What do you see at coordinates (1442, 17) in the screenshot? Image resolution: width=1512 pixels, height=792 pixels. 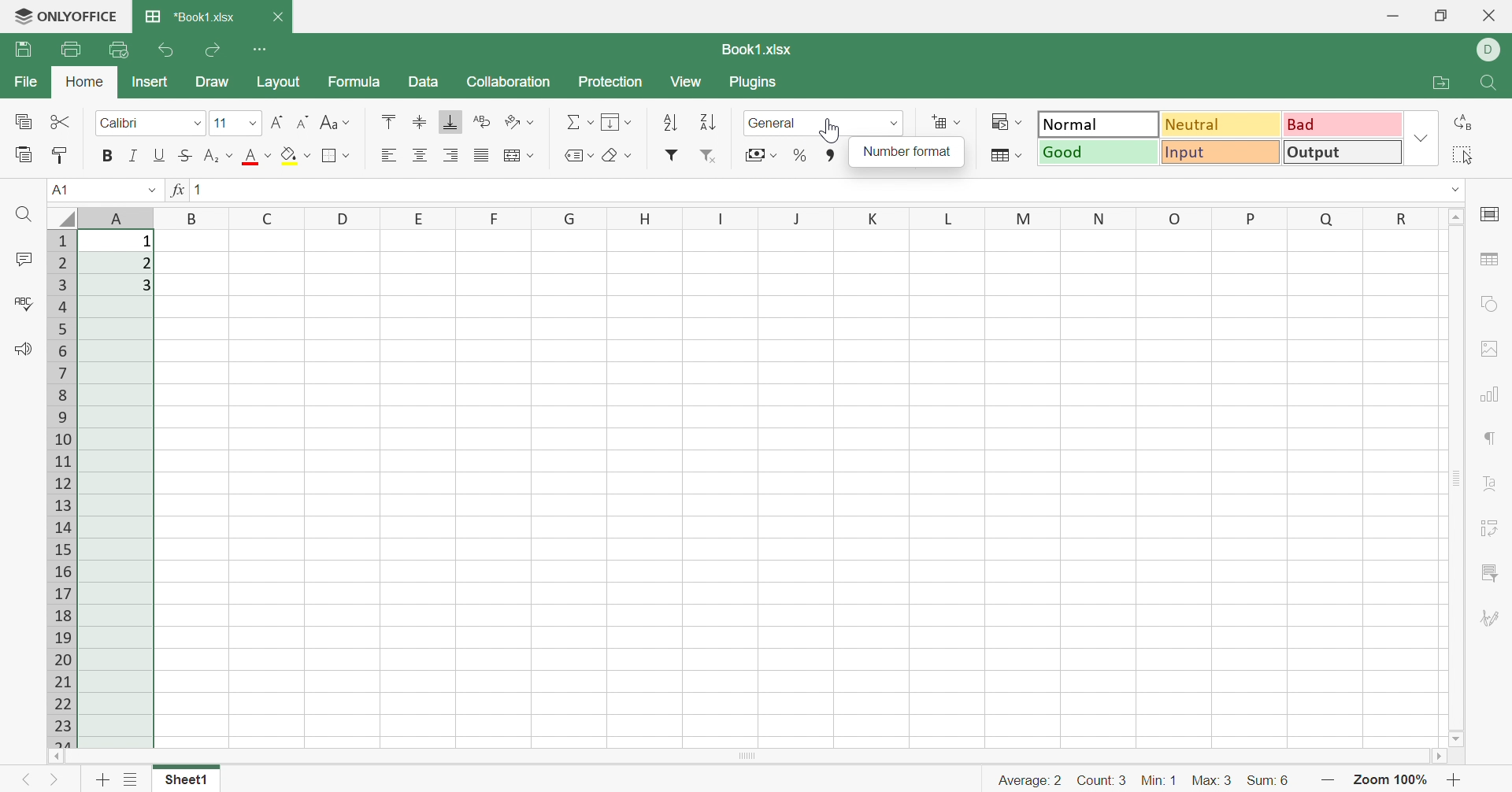 I see `` at bounding box center [1442, 17].